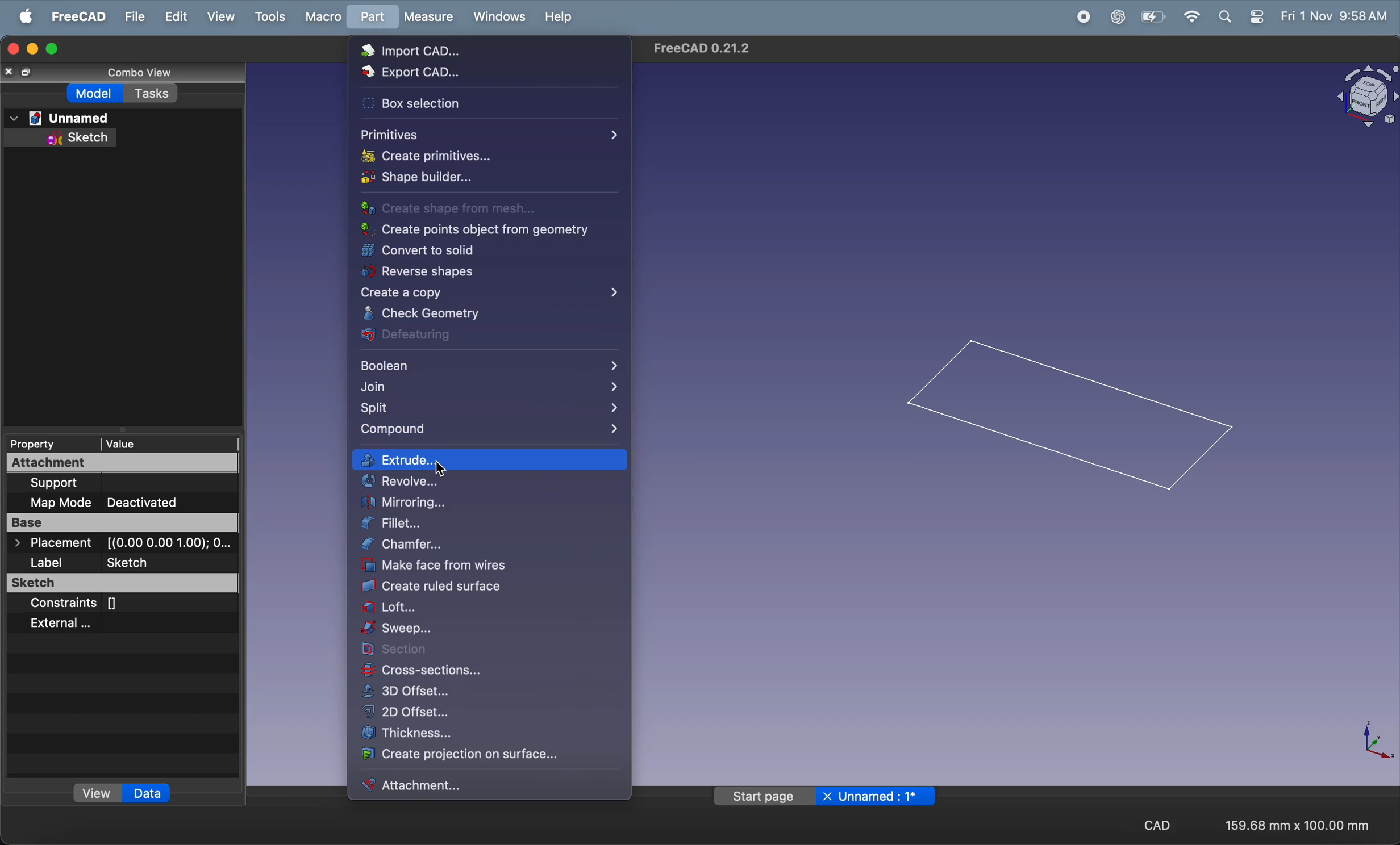 The image size is (1400, 845). I want to click on page name unamed, so click(827, 795).